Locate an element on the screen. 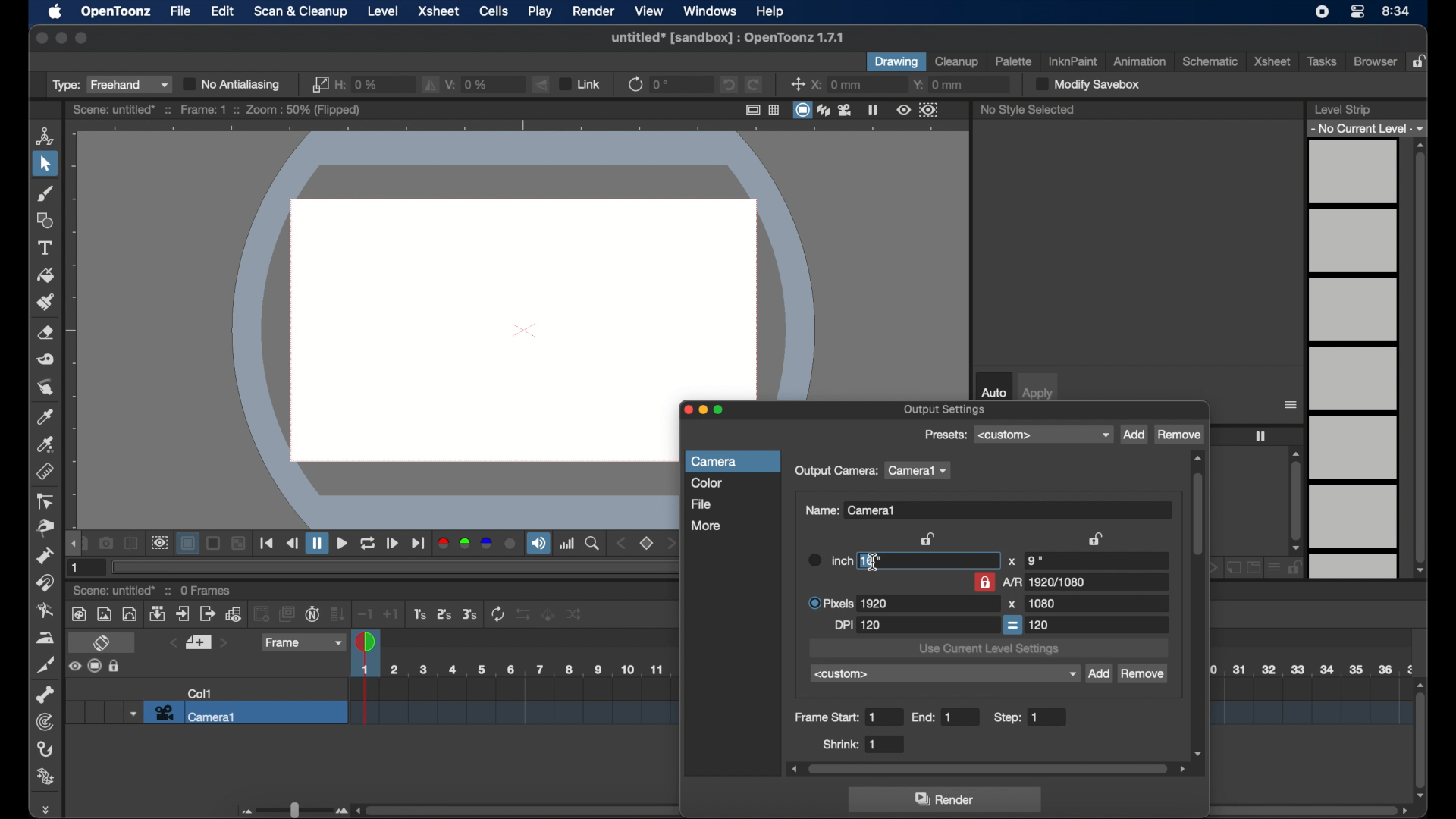 This screenshot has height=819, width=1456. ruler tool is located at coordinates (45, 470).